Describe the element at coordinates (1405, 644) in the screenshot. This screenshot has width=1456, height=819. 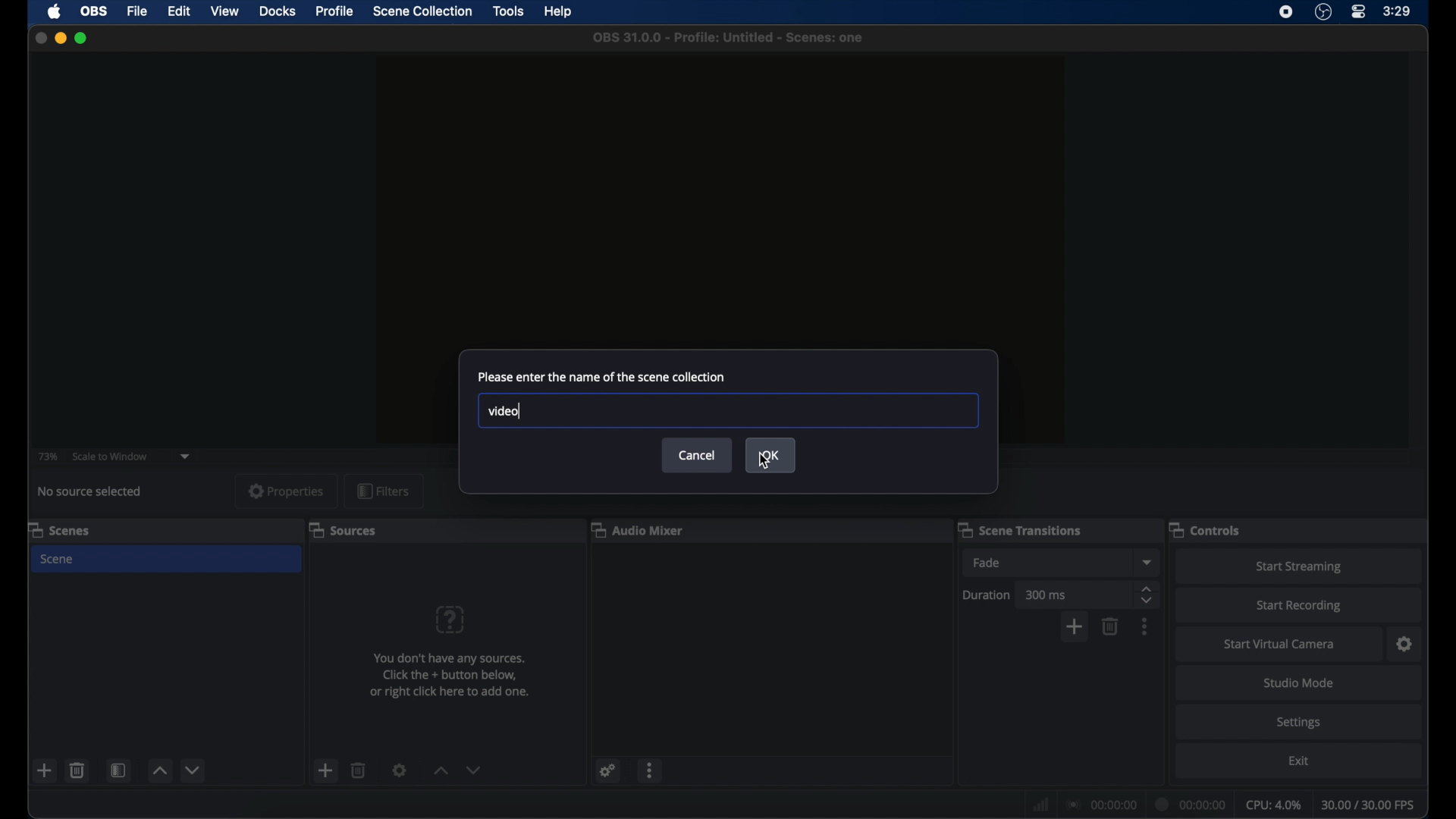
I see `settings` at that location.